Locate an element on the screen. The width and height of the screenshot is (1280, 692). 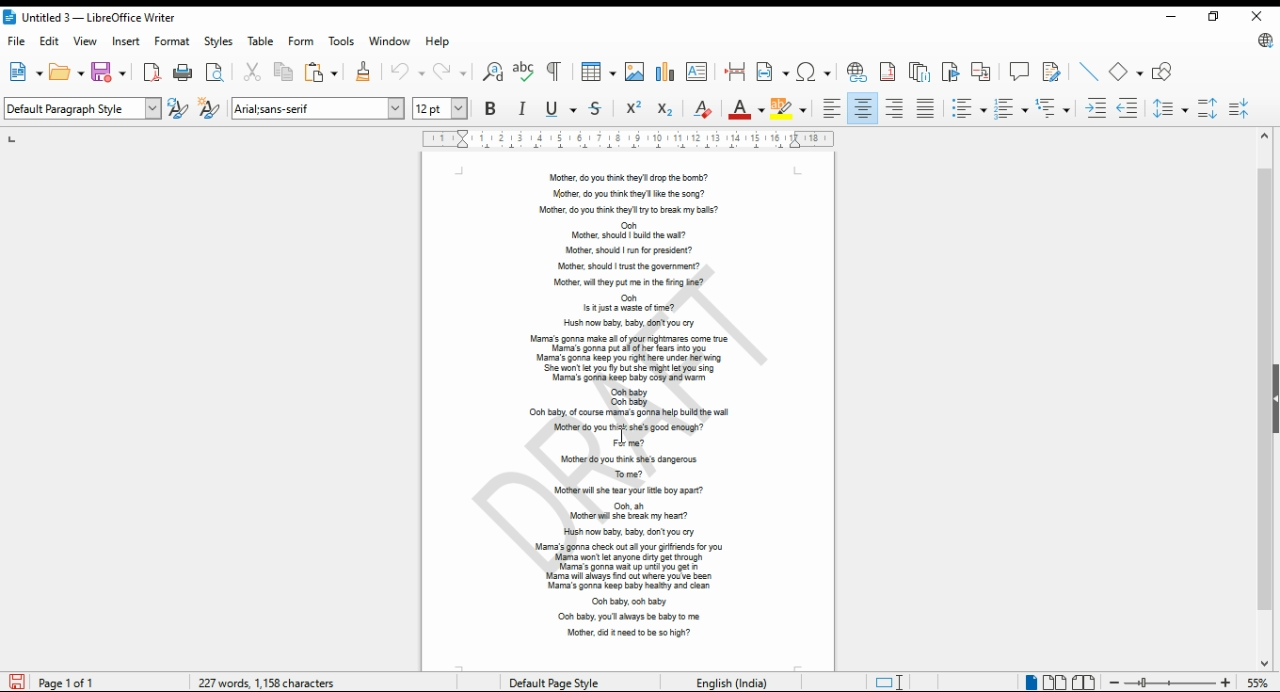
single page view is located at coordinates (1028, 682).